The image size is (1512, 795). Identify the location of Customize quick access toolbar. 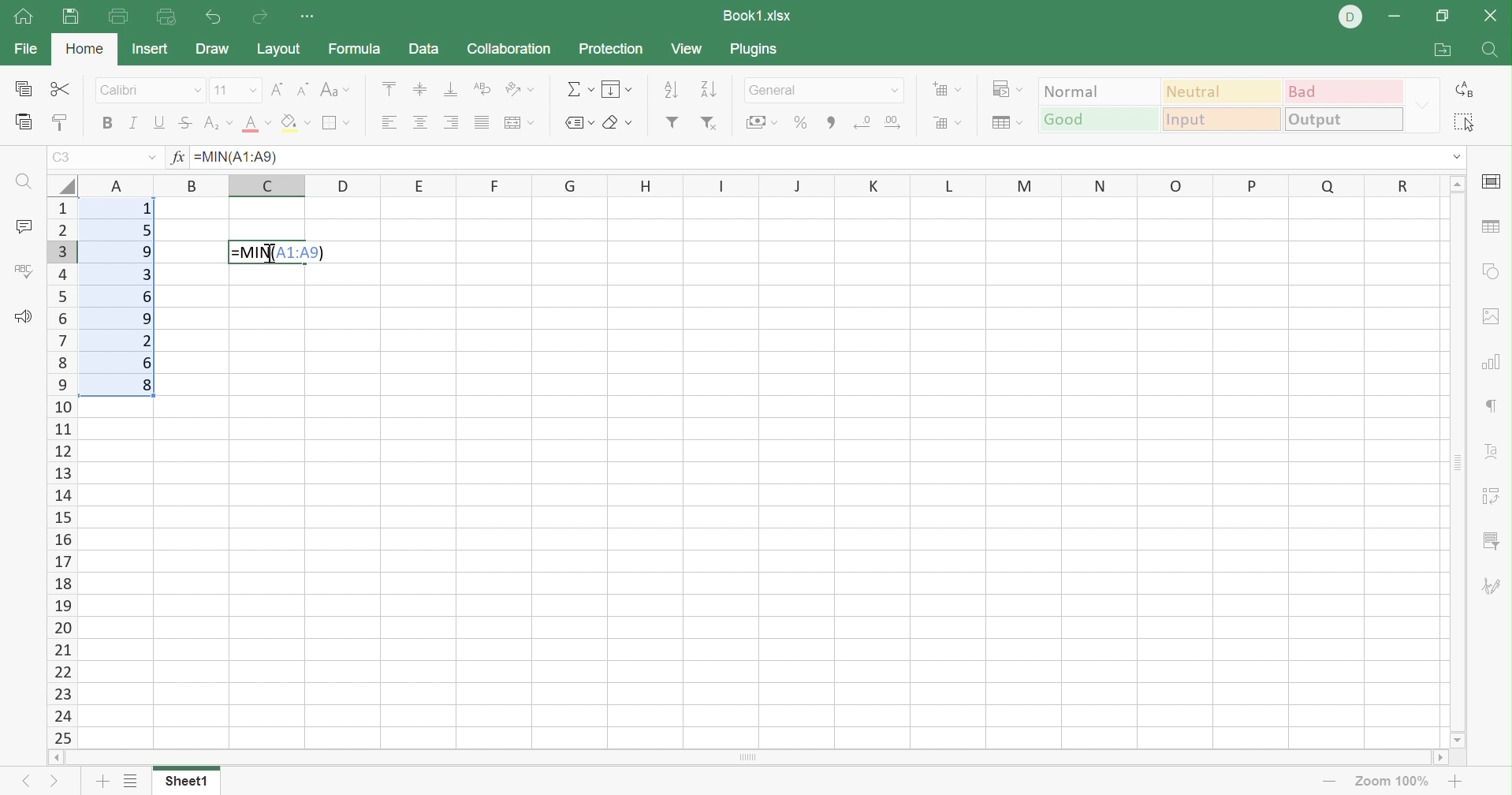
(313, 18).